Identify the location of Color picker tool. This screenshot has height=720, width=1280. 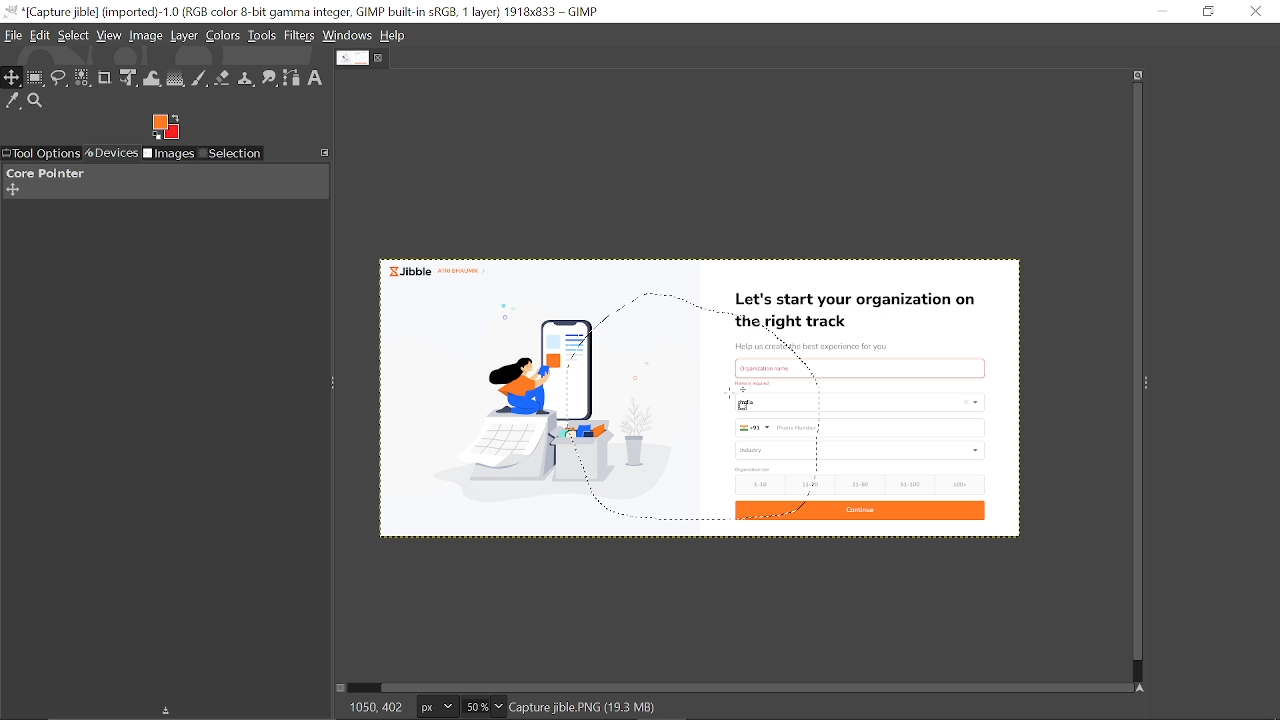
(13, 102).